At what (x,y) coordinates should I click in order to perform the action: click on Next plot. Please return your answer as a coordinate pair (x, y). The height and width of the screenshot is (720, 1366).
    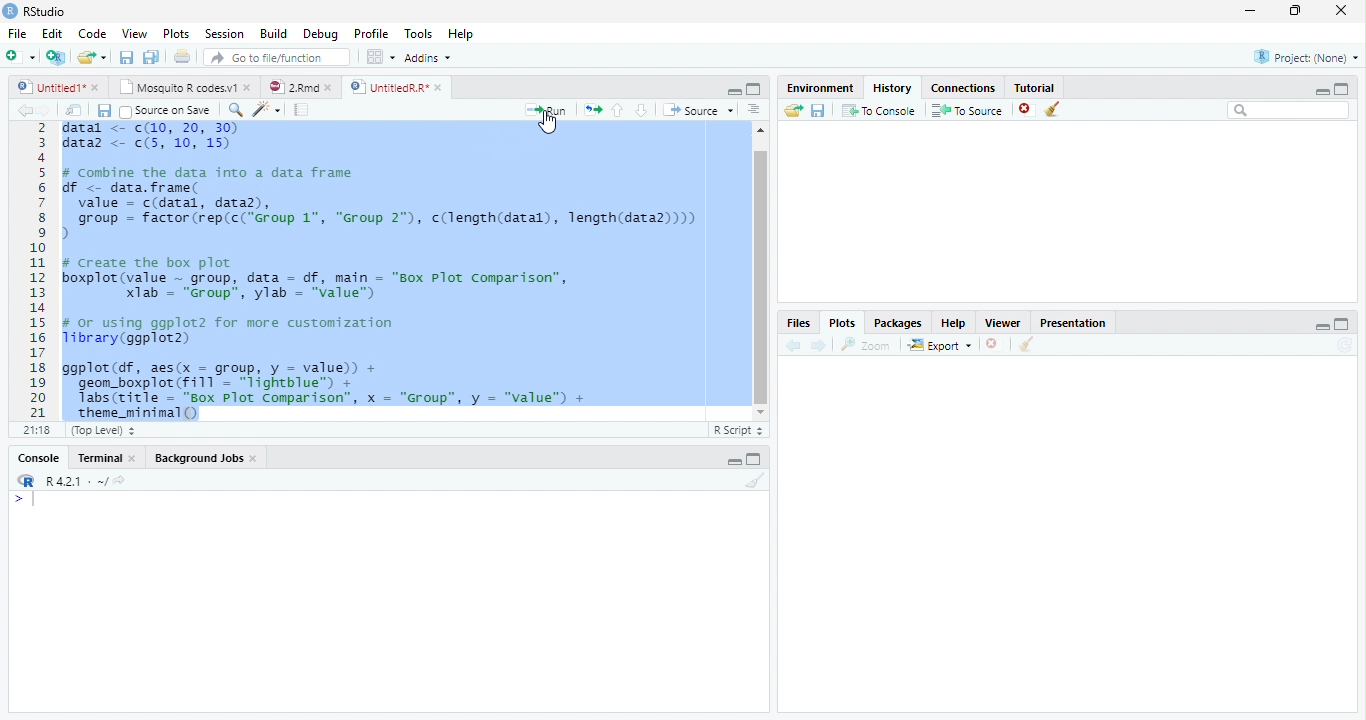
    Looking at the image, I should click on (819, 345).